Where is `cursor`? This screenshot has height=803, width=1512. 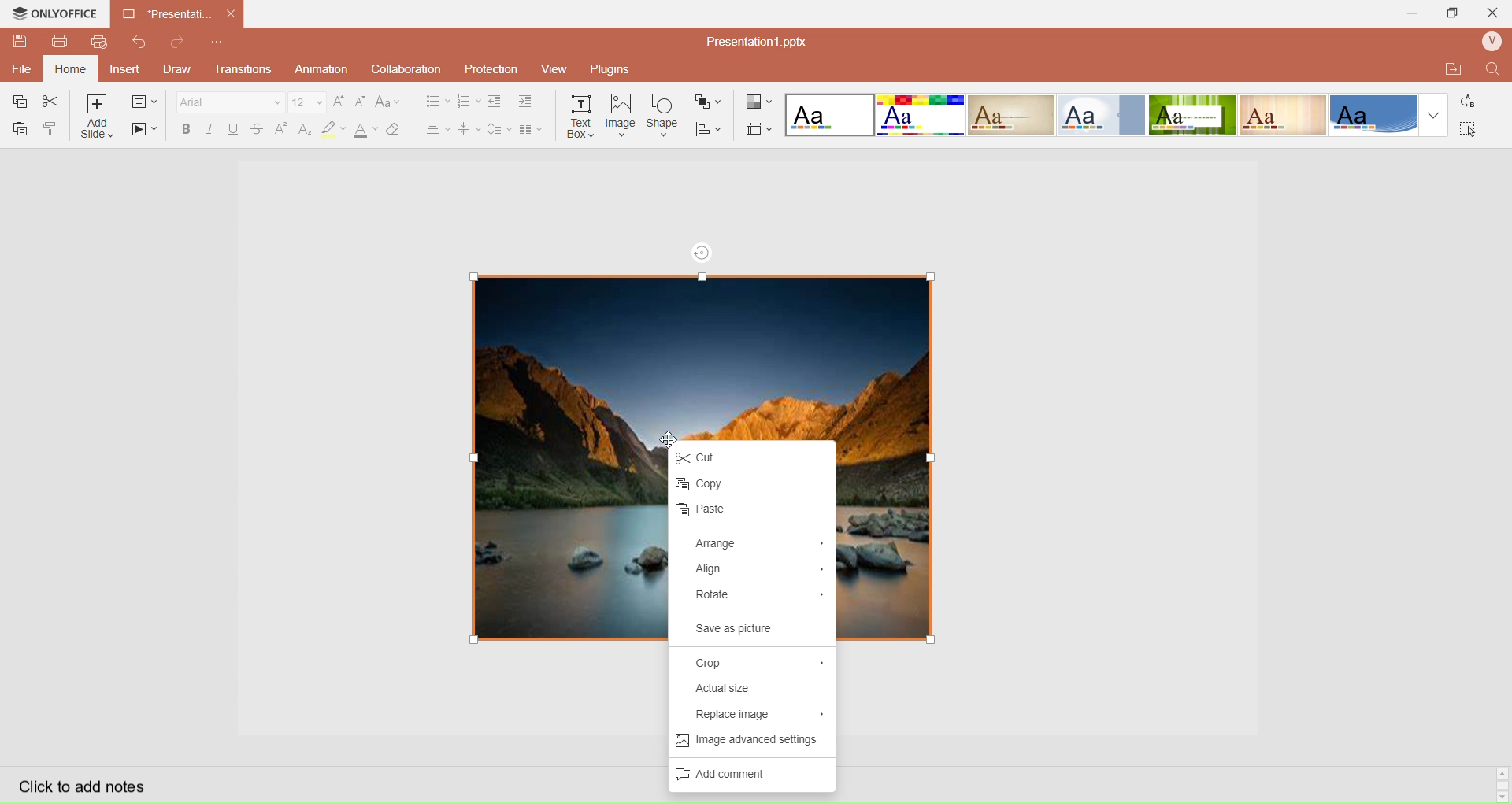 cursor is located at coordinates (669, 439).